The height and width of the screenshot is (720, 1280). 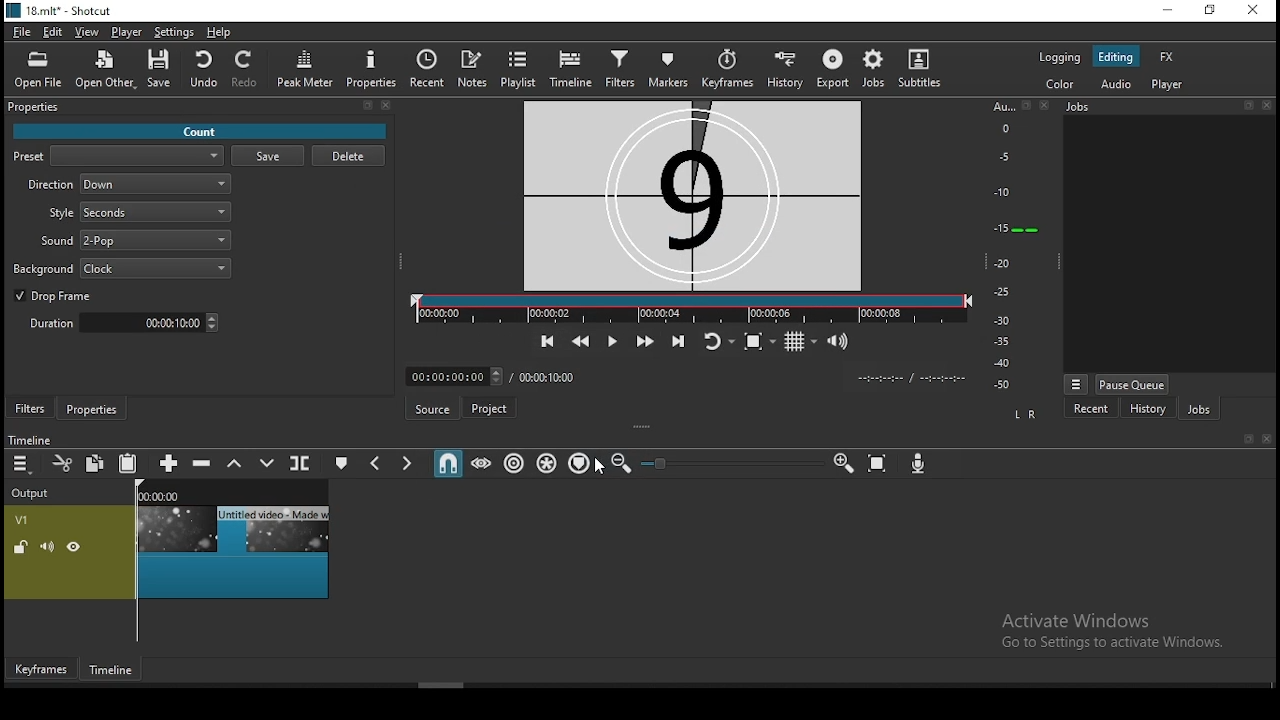 What do you see at coordinates (234, 464) in the screenshot?
I see `lift` at bounding box center [234, 464].